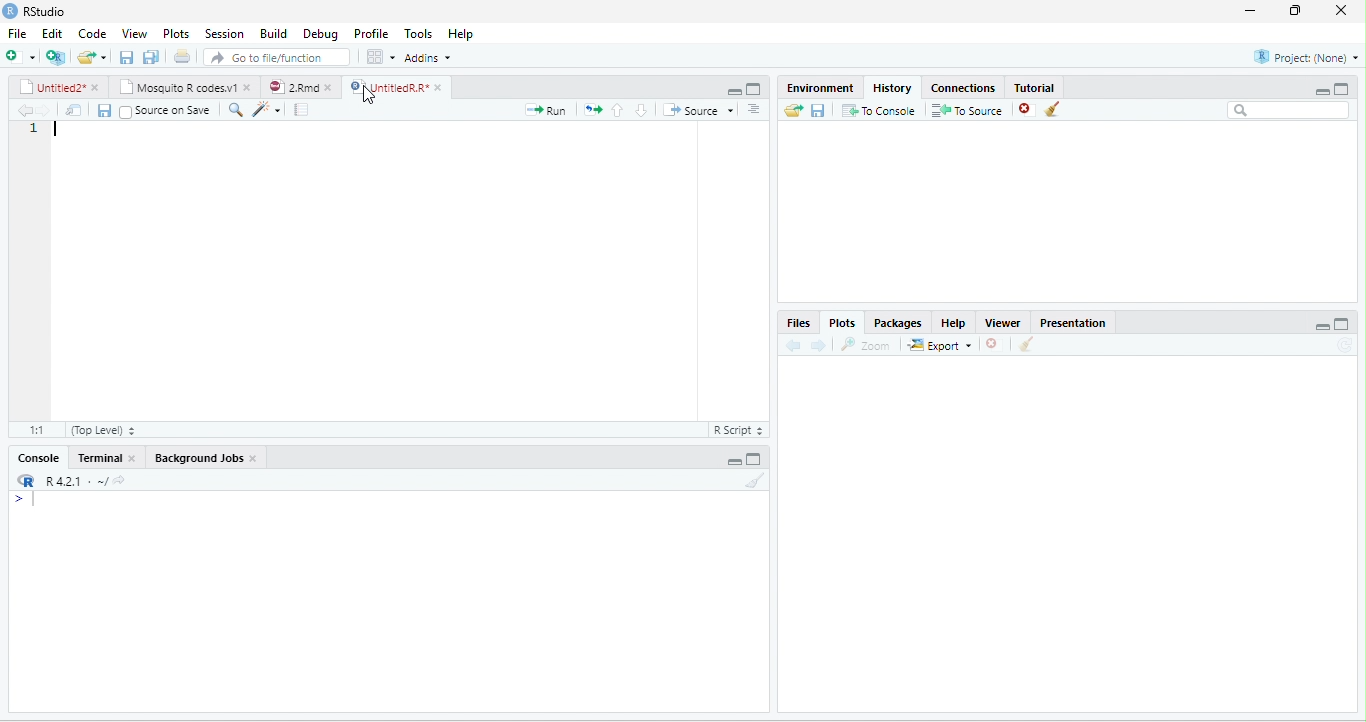  I want to click on document, so click(181, 56).